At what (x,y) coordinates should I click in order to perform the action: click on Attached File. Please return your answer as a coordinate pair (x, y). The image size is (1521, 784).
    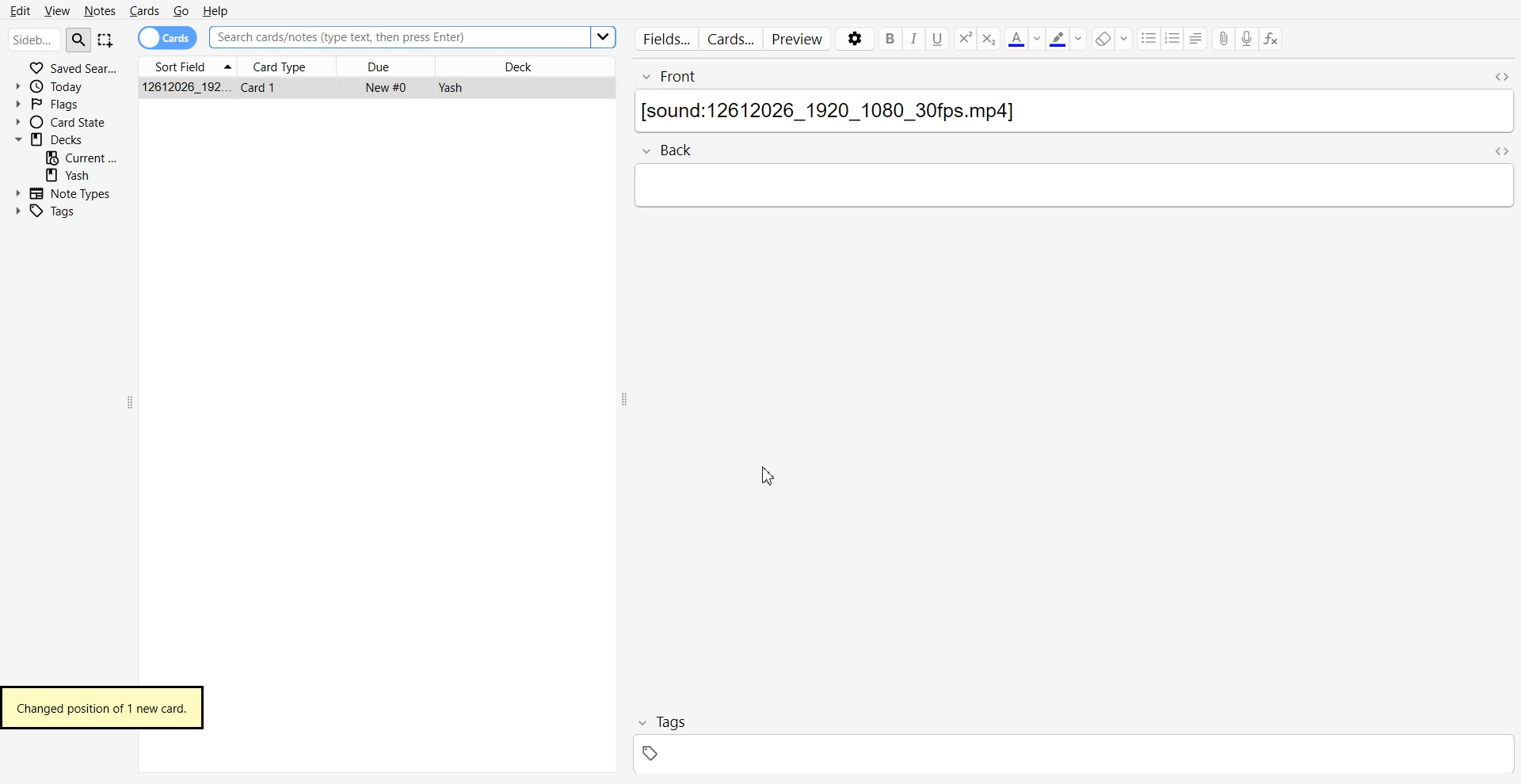
    Looking at the image, I should click on (1224, 40).